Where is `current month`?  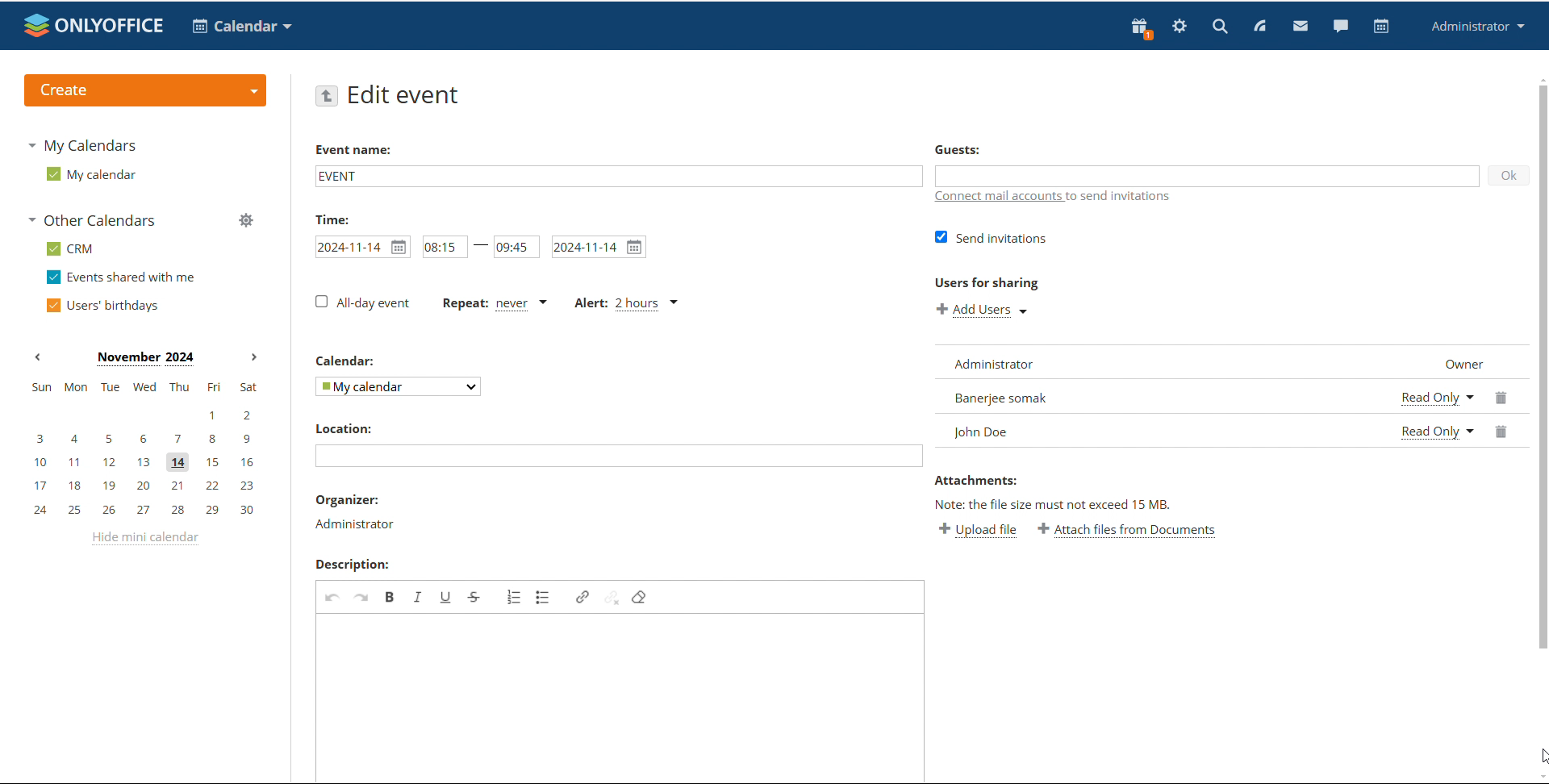 current month is located at coordinates (144, 359).